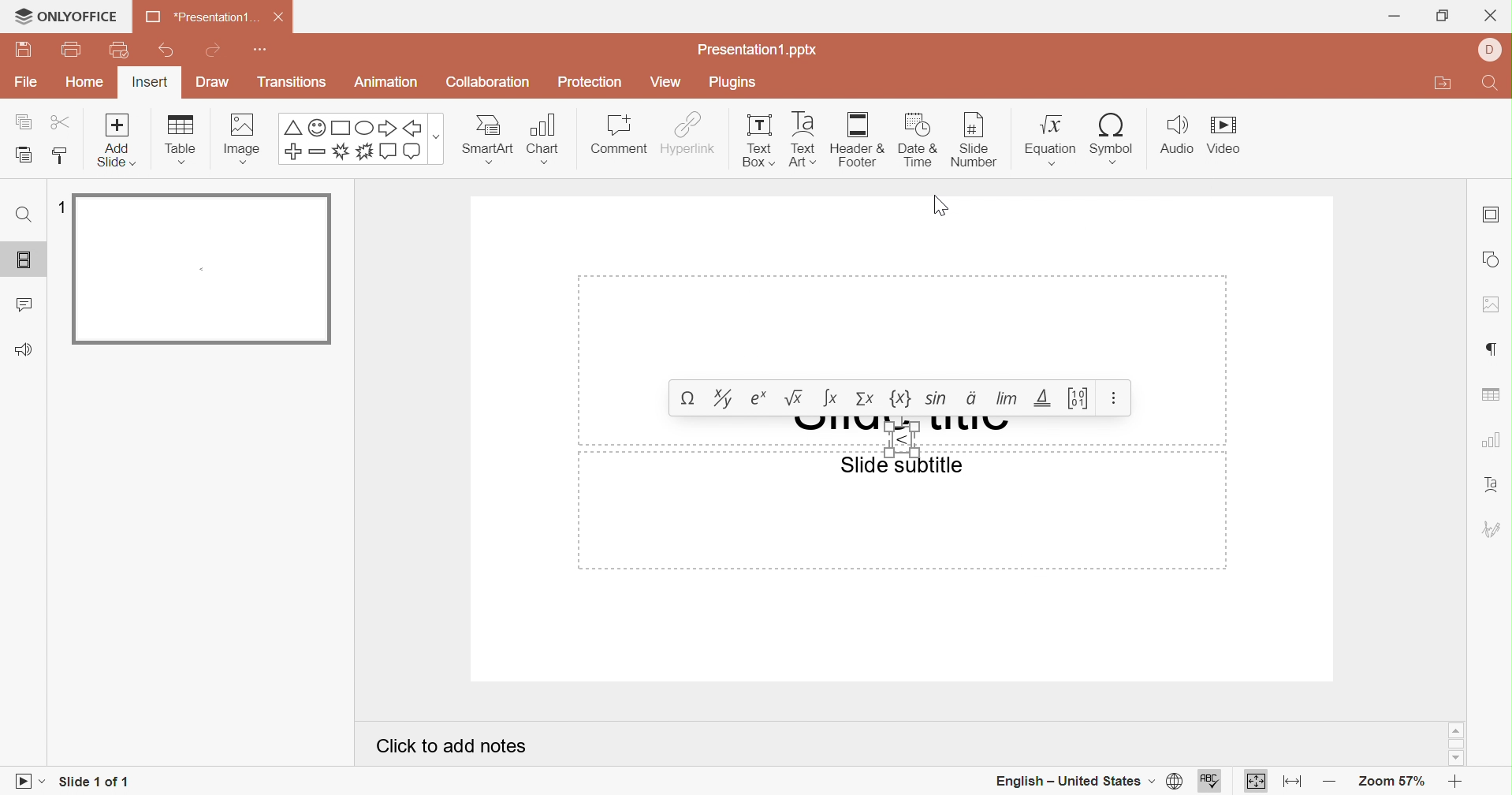 The width and height of the screenshot is (1512, 795). Describe the element at coordinates (1114, 139) in the screenshot. I see `Symbol` at that location.